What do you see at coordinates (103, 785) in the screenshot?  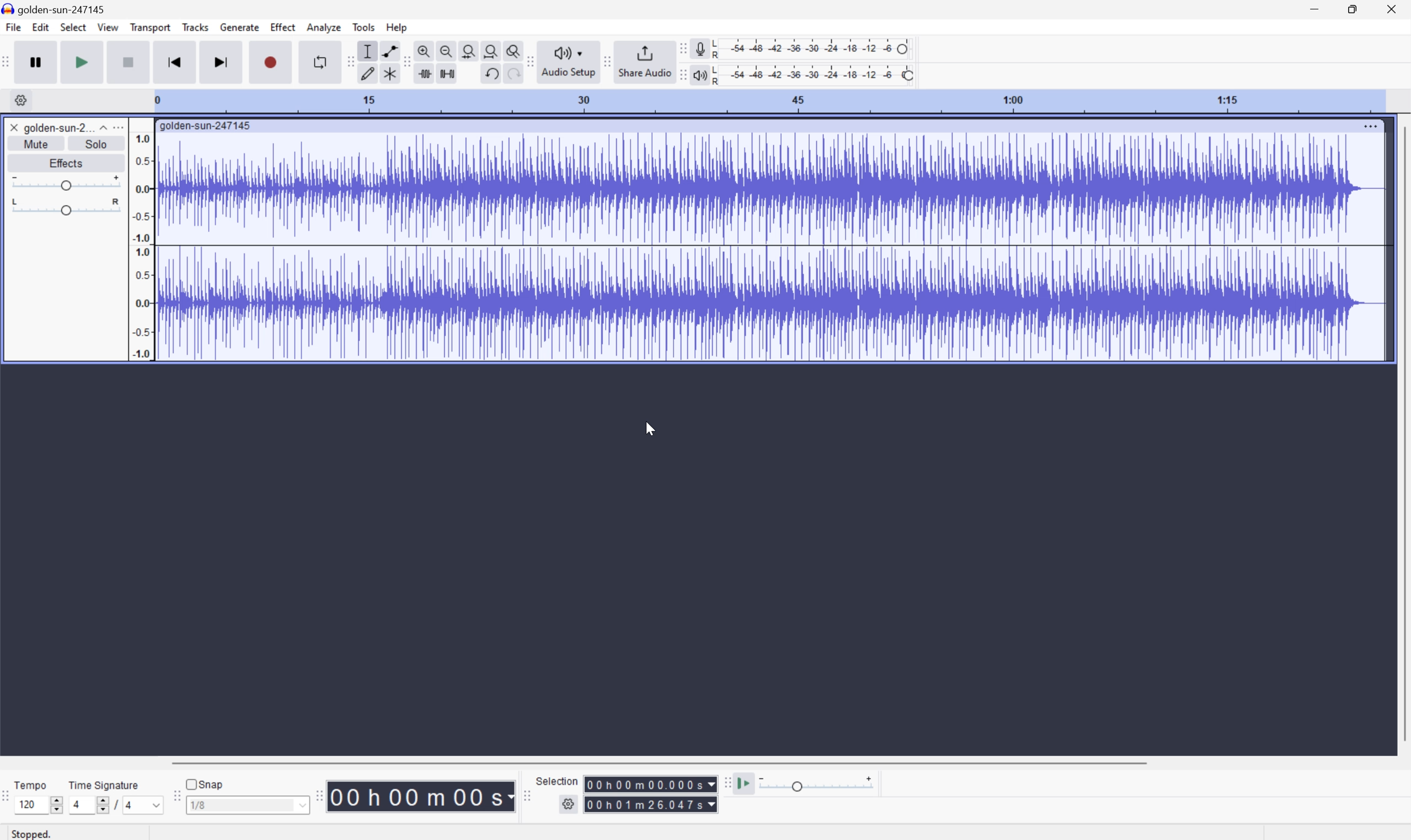 I see `Time signature` at bounding box center [103, 785].